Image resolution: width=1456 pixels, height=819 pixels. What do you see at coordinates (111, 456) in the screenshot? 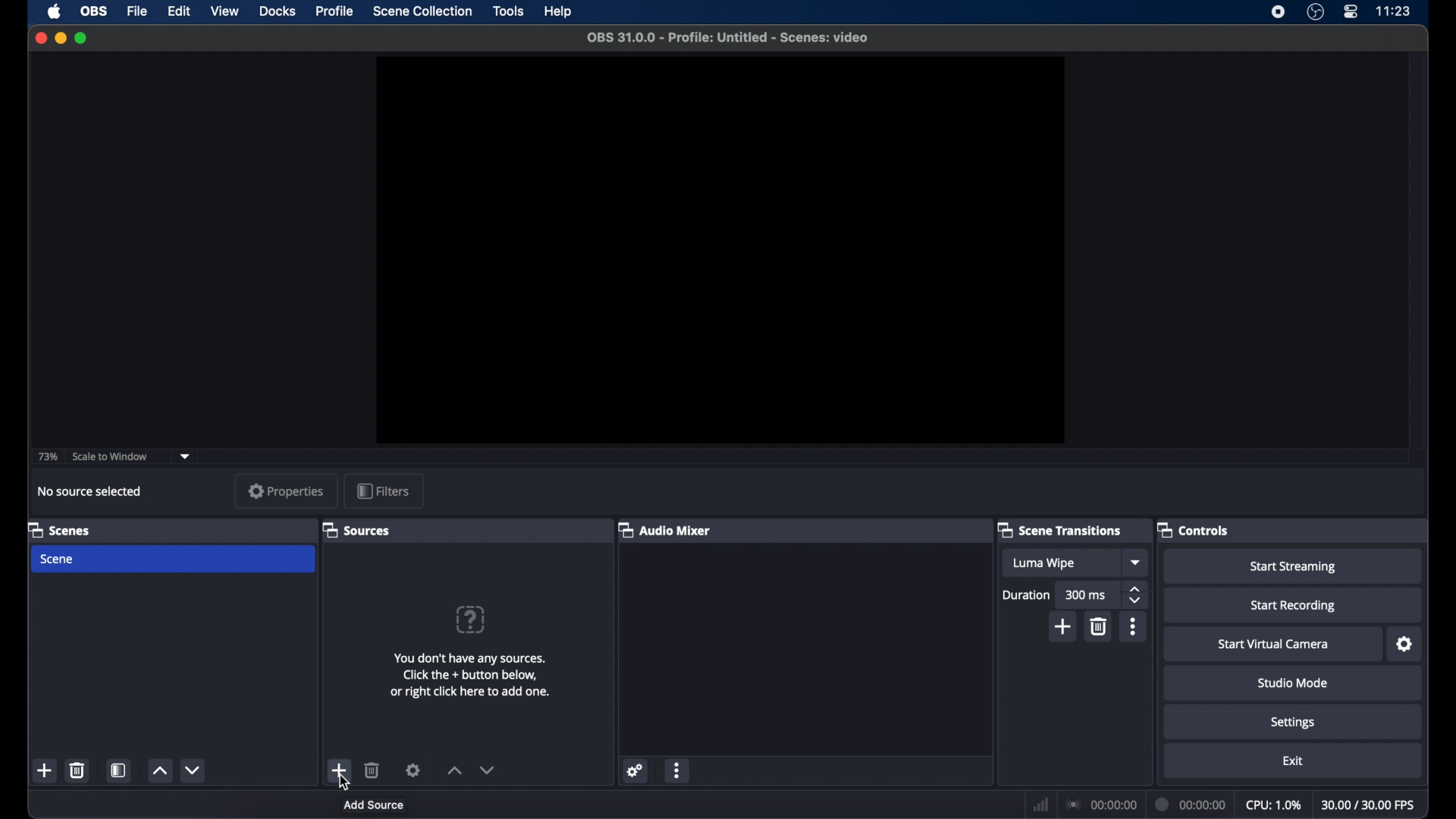
I see `scale to window` at bounding box center [111, 456].